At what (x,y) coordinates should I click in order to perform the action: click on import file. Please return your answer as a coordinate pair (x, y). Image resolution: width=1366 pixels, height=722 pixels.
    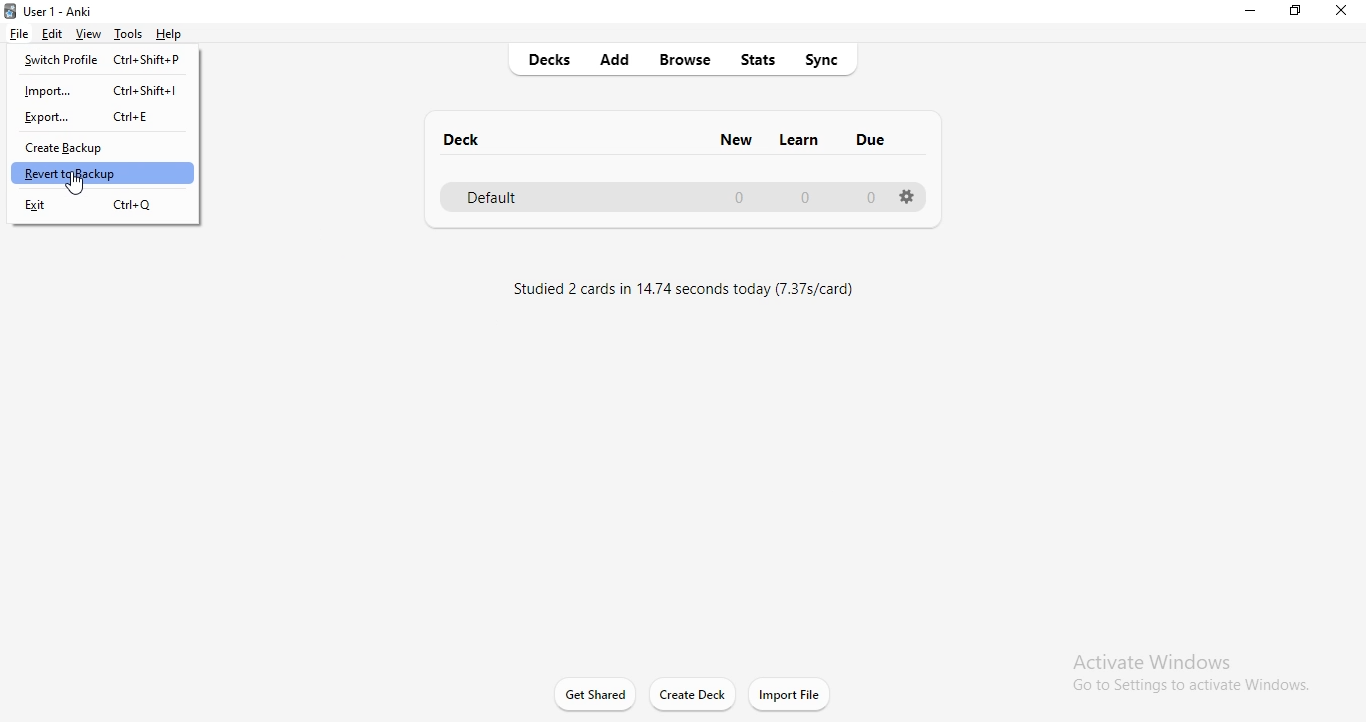
    Looking at the image, I should click on (790, 694).